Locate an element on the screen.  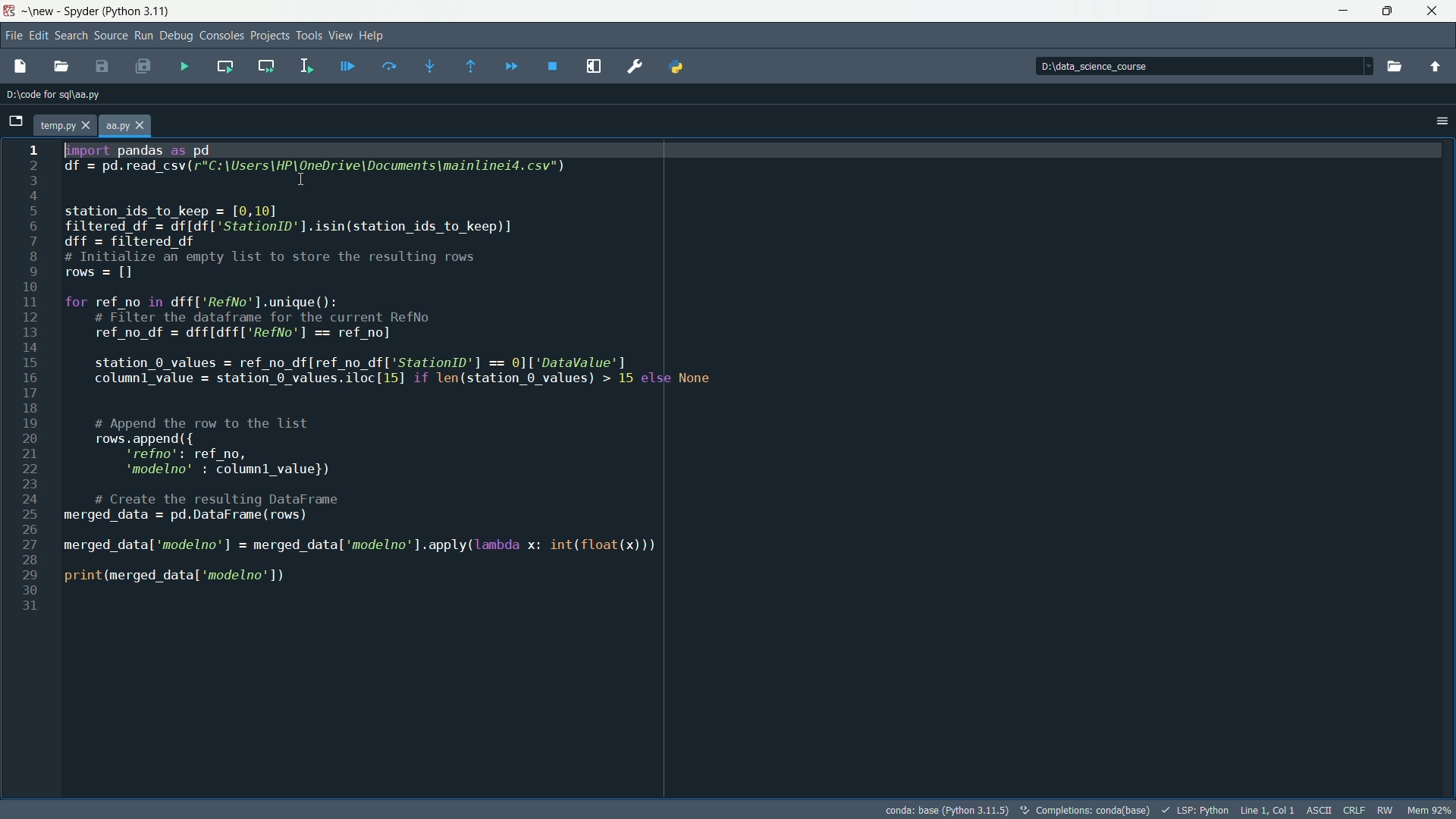
view menu is located at coordinates (340, 35).